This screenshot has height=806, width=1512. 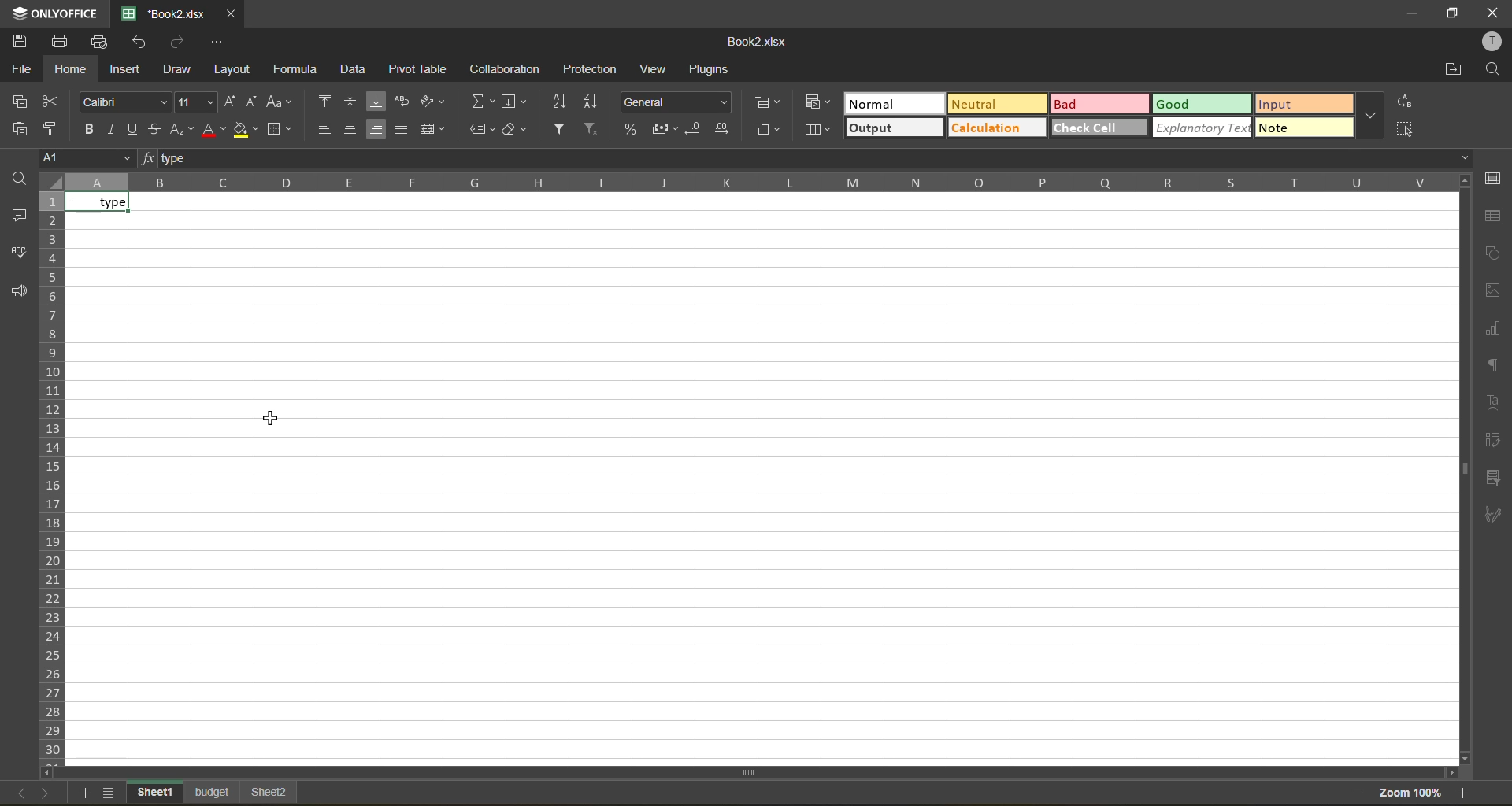 What do you see at coordinates (380, 102) in the screenshot?
I see `align bottom` at bounding box center [380, 102].